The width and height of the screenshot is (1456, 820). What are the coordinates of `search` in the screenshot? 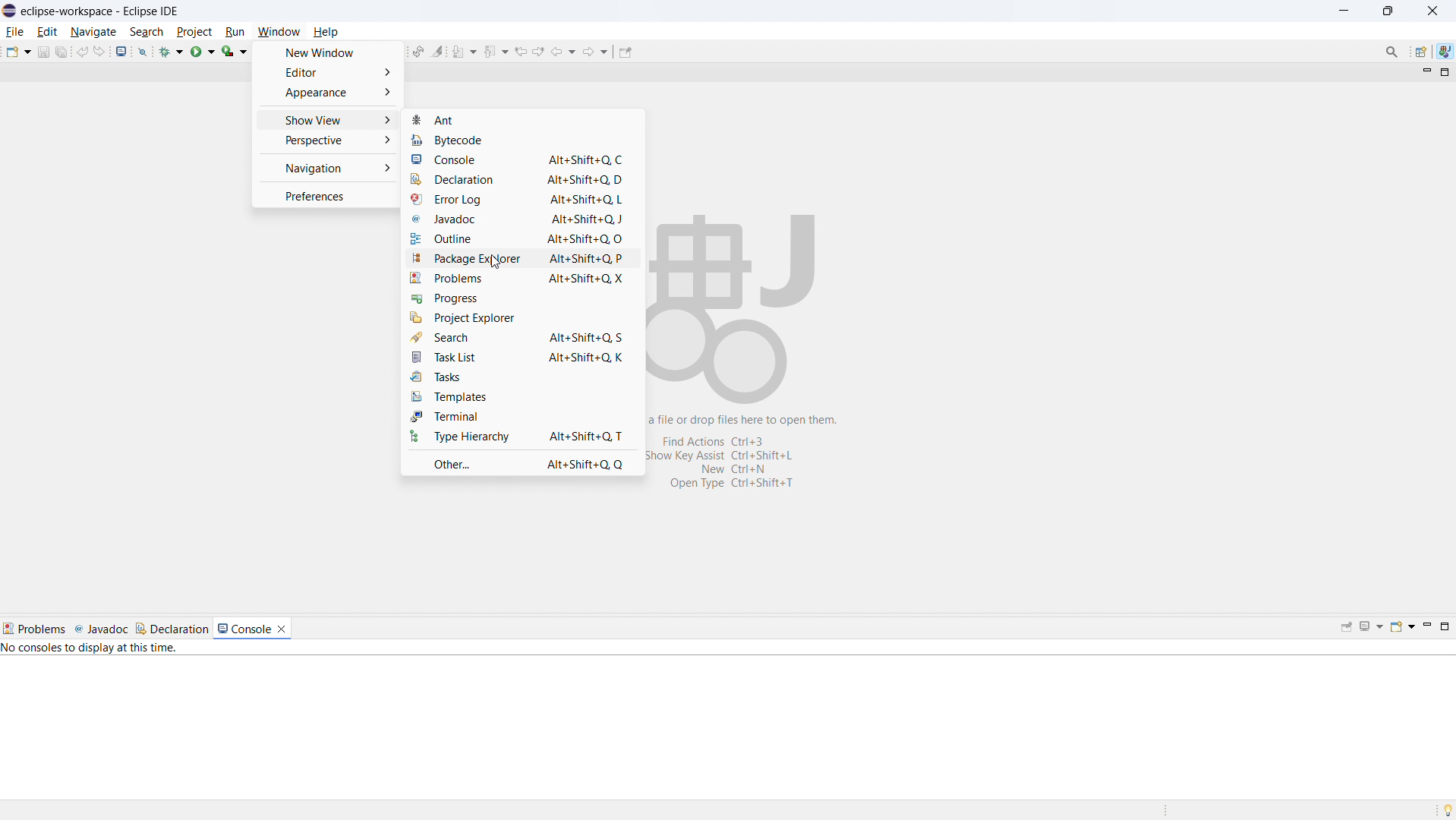 It's located at (521, 337).